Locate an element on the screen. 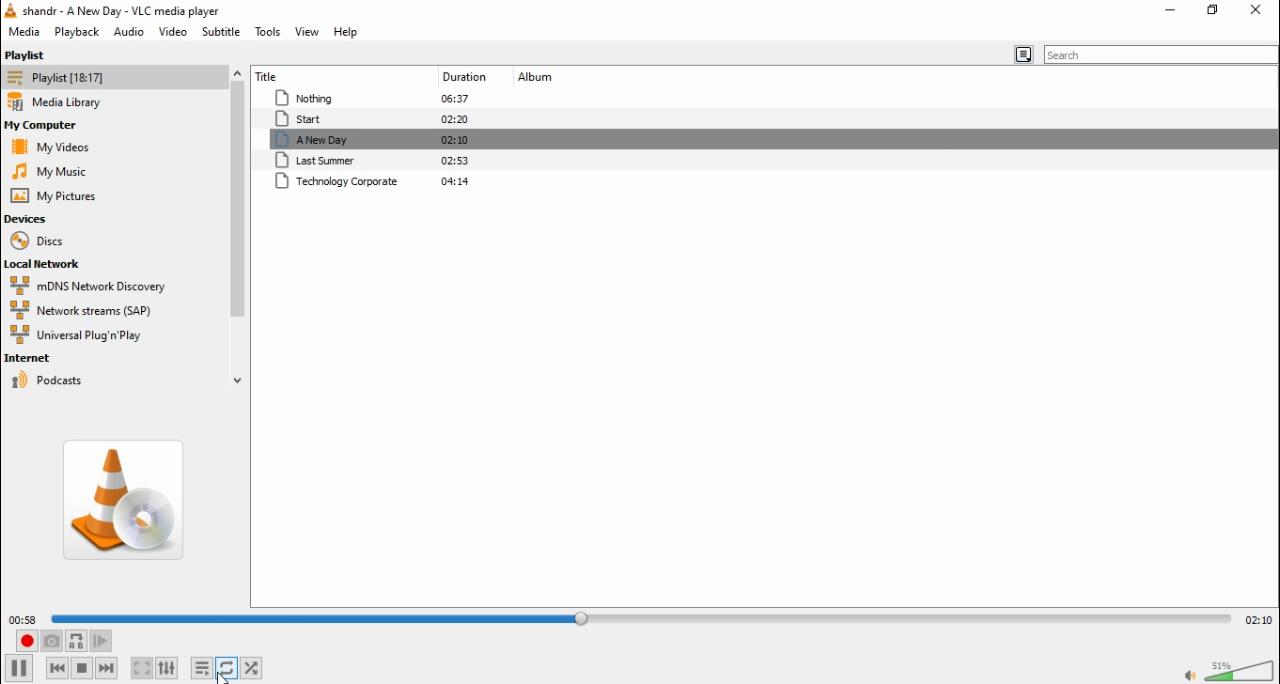  technology corporate 04:14 is located at coordinates (376, 182).